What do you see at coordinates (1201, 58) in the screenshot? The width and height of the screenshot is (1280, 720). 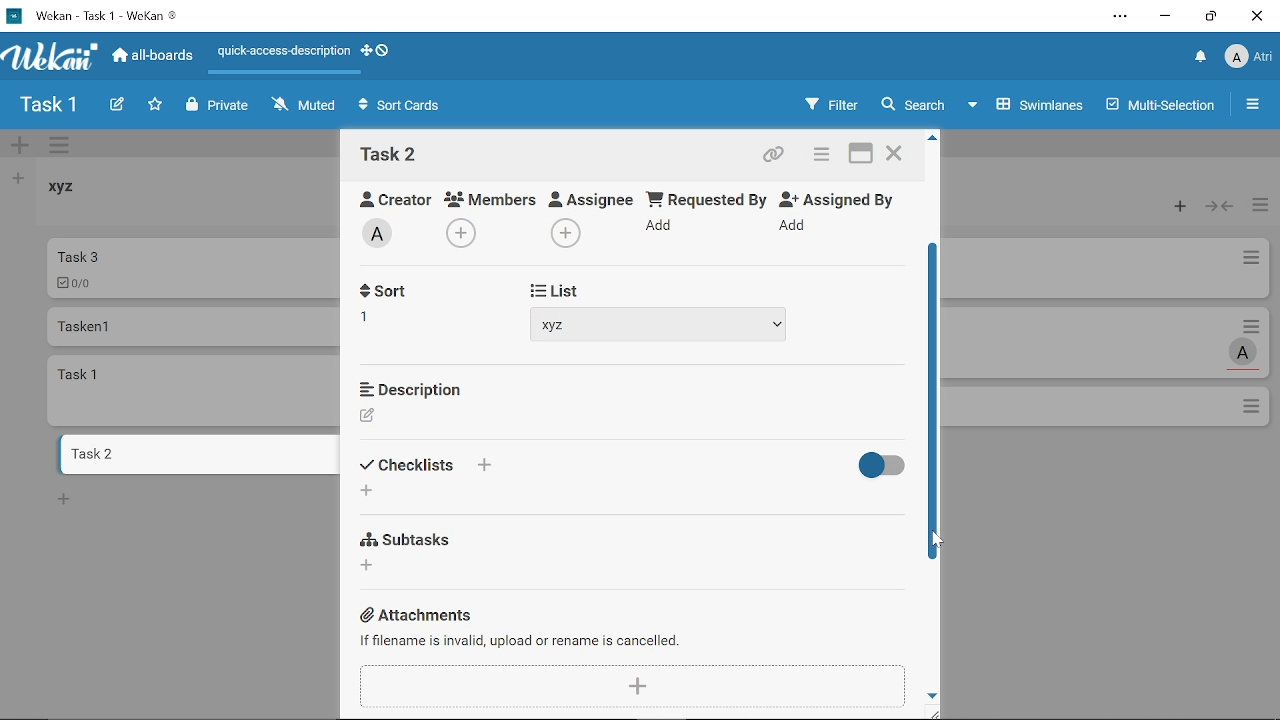 I see `Notifications` at bounding box center [1201, 58].